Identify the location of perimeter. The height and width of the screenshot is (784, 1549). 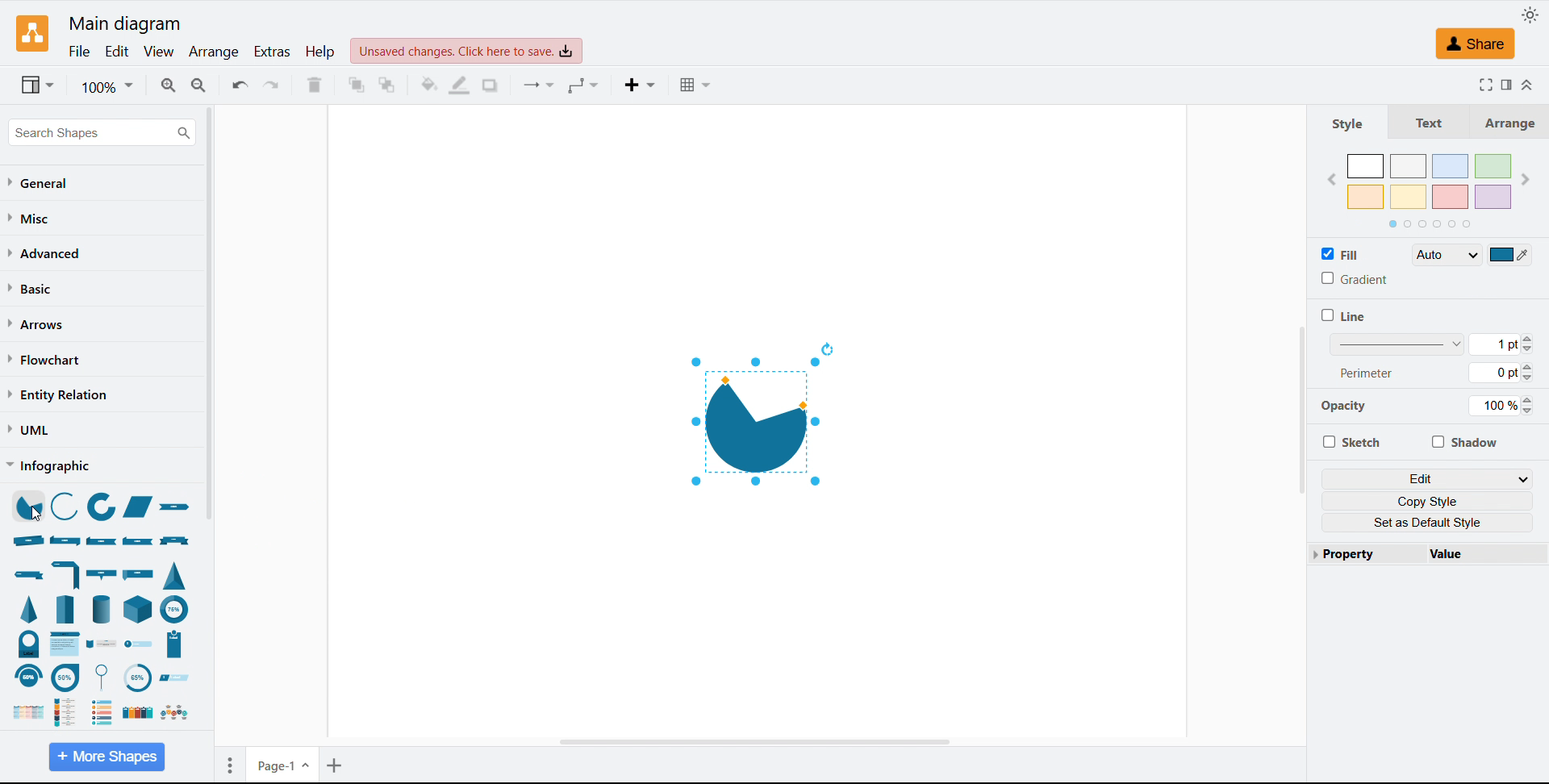
(1397, 373).